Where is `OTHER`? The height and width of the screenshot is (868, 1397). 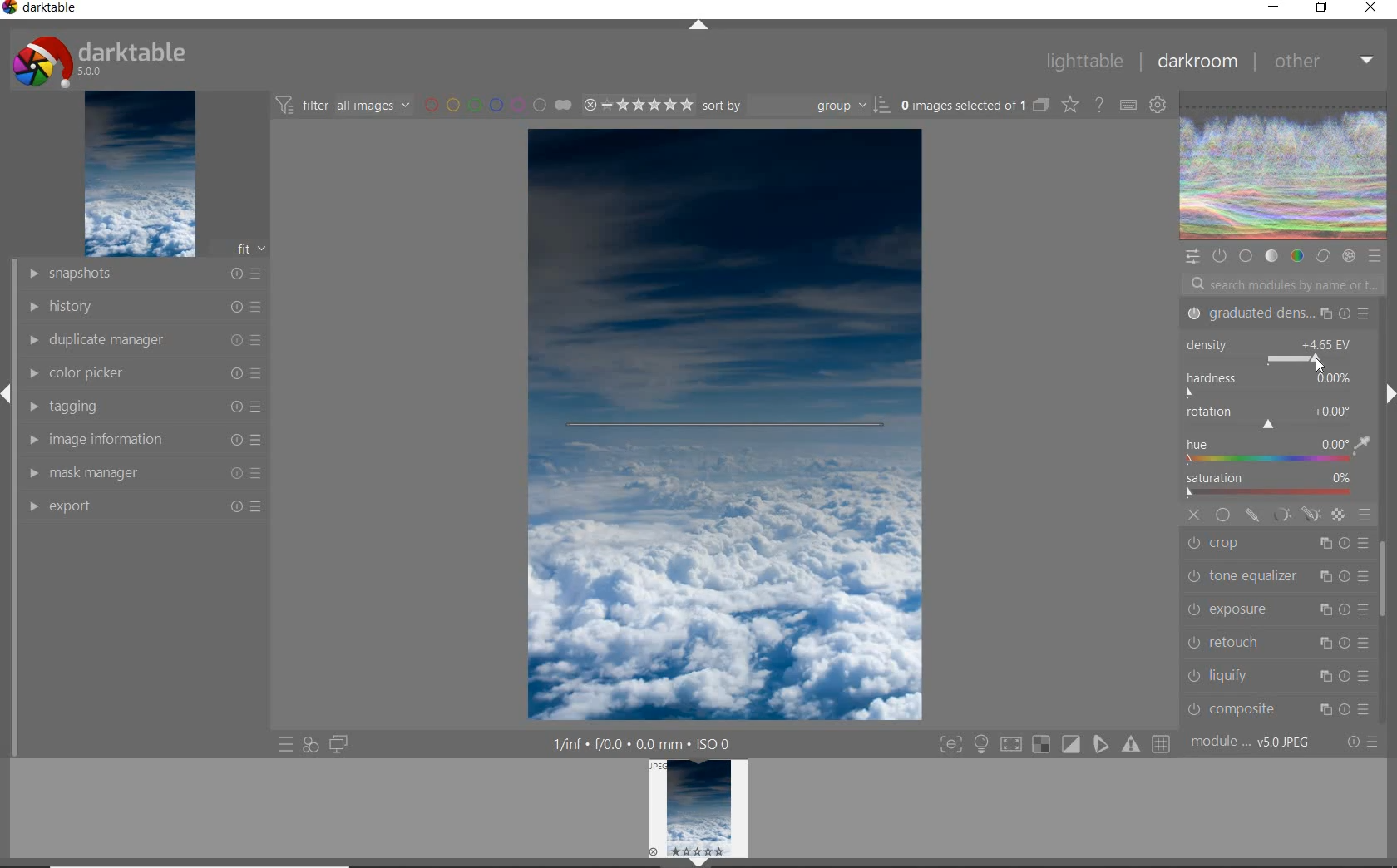
OTHER is located at coordinates (1321, 63).